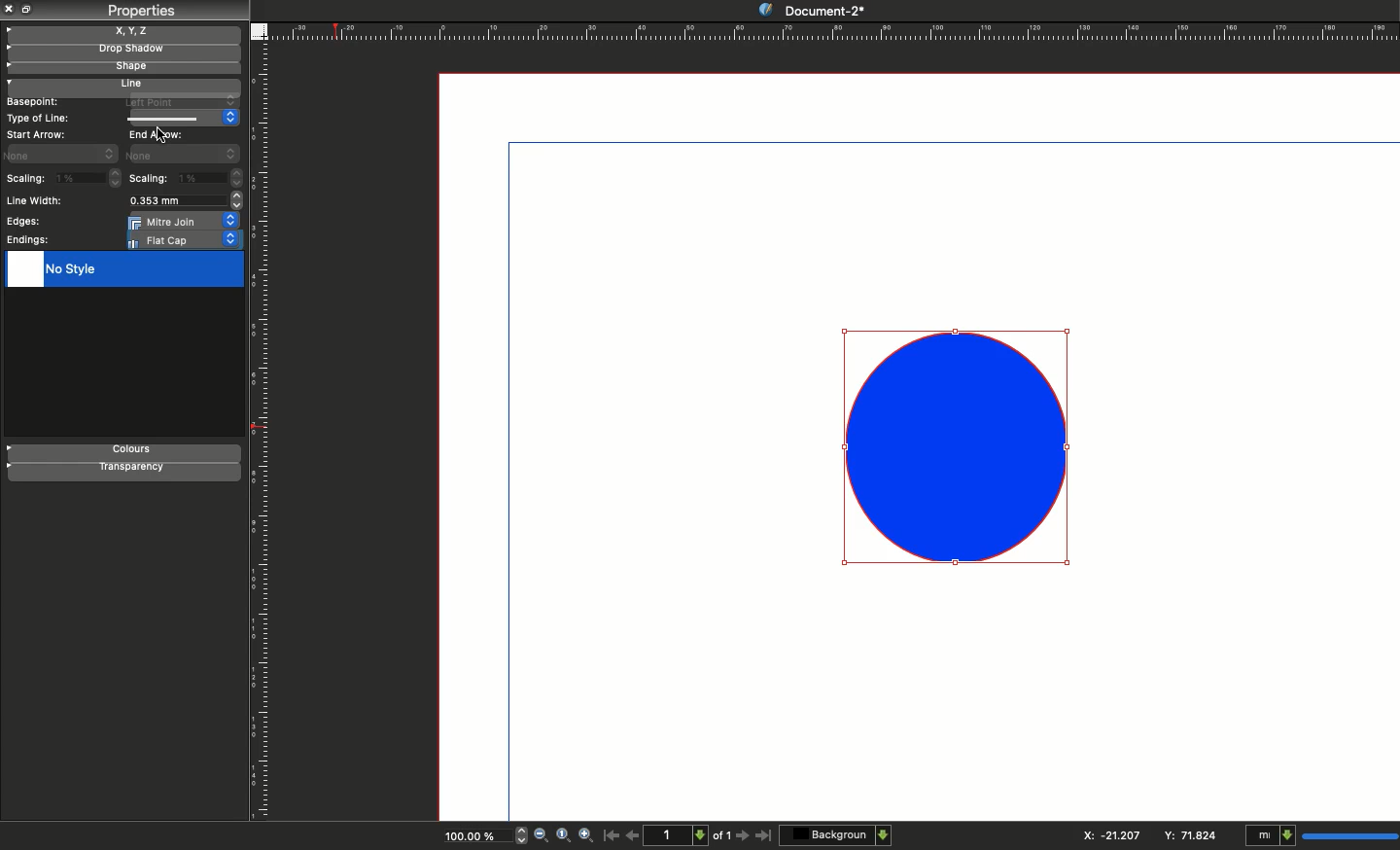  I want to click on Scaling, so click(150, 178).